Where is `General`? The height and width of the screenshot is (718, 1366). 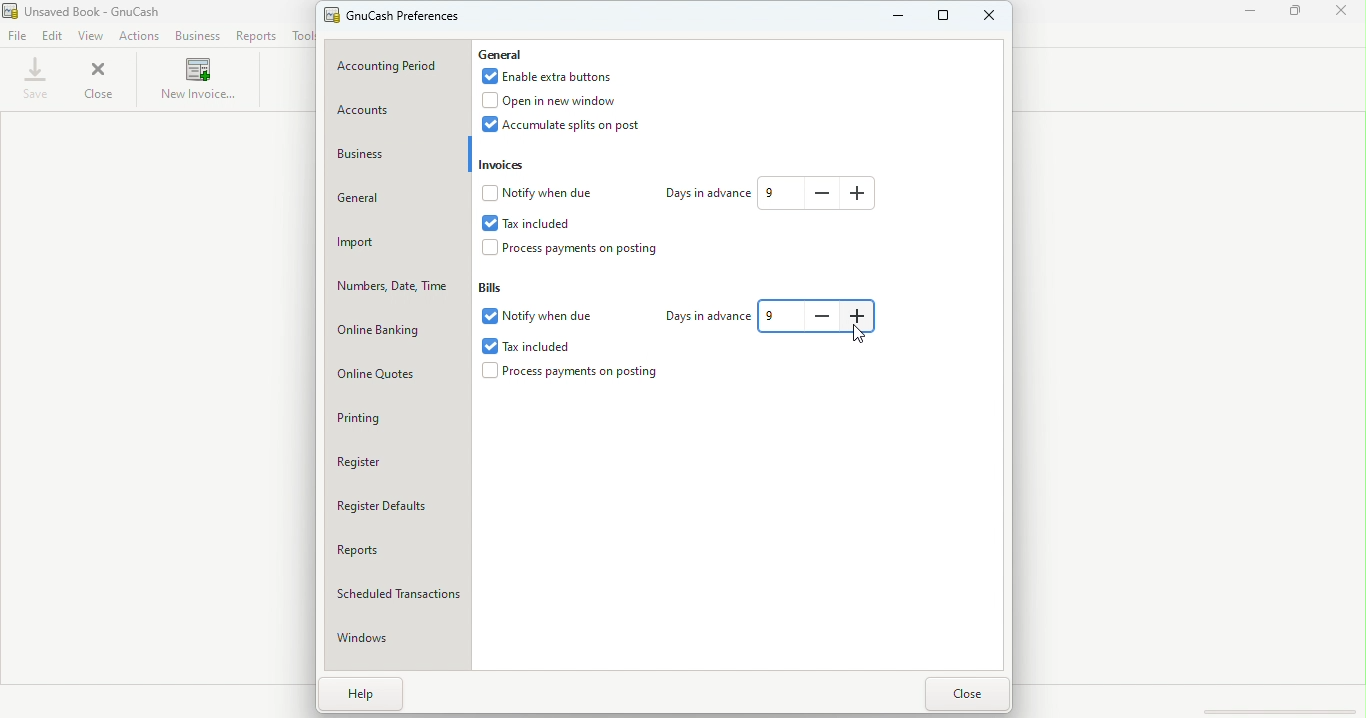
General is located at coordinates (393, 200).